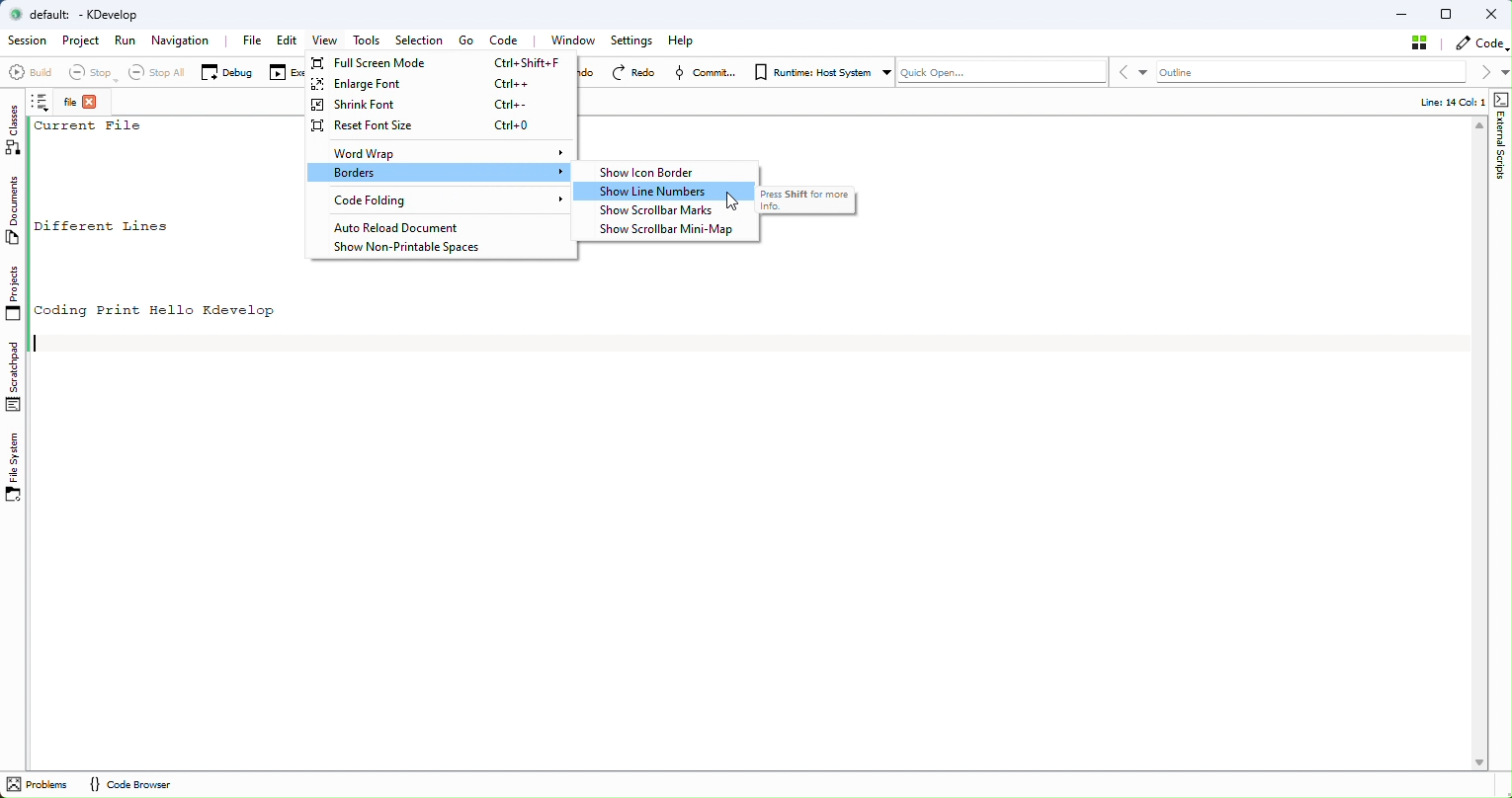 The width and height of the screenshot is (1512, 798). I want to click on Enlarge Font Ctrl++, so click(440, 103).